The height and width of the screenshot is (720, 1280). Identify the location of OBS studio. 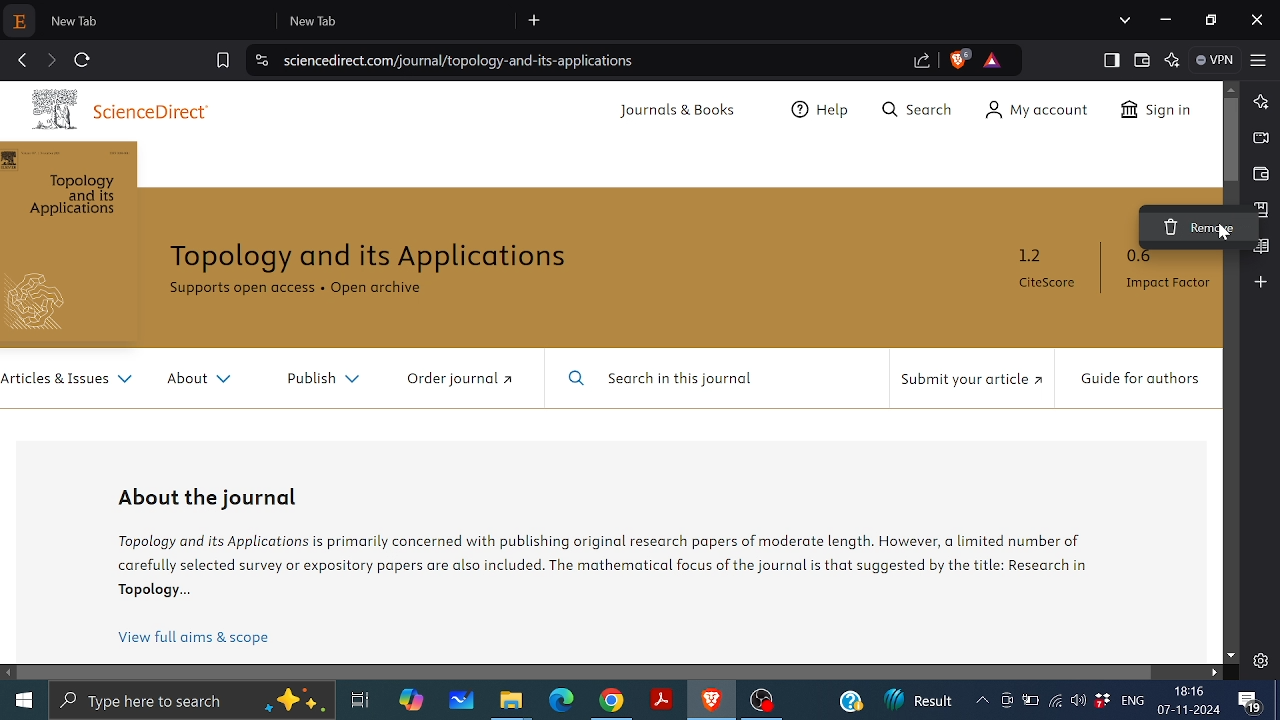
(766, 702).